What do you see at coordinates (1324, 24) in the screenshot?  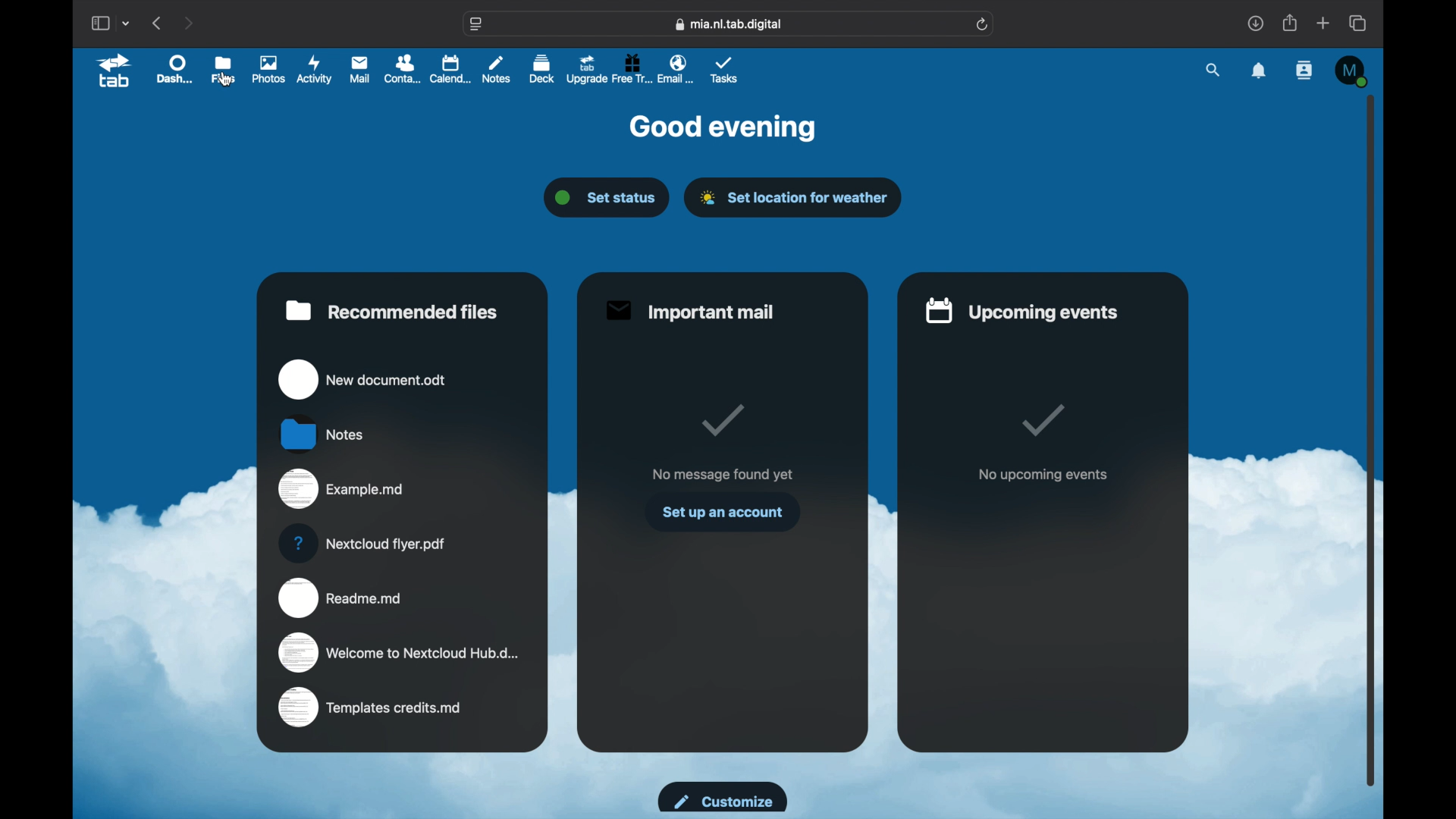 I see `new tab` at bounding box center [1324, 24].